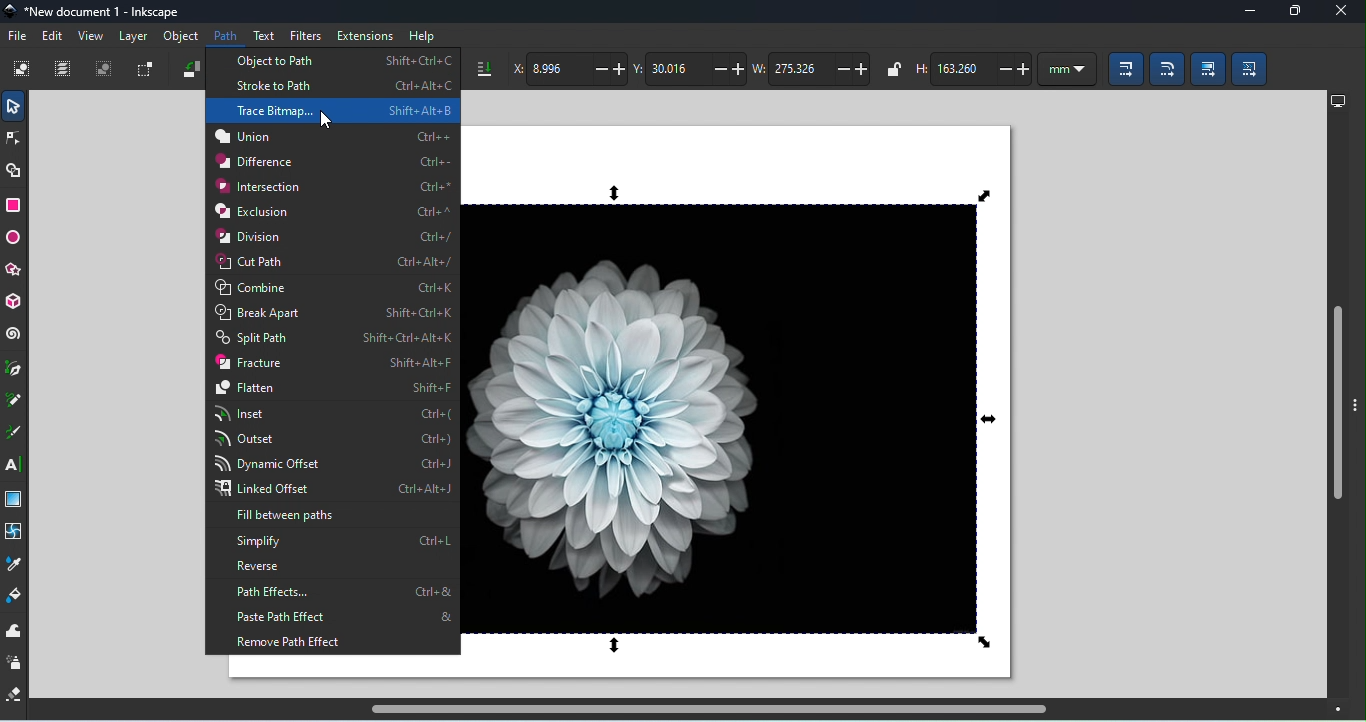 This screenshot has height=722, width=1366. What do you see at coordinates (15, 596) in the screenshot?
I see `paint bucket tool` at bounding box center [15, 596].